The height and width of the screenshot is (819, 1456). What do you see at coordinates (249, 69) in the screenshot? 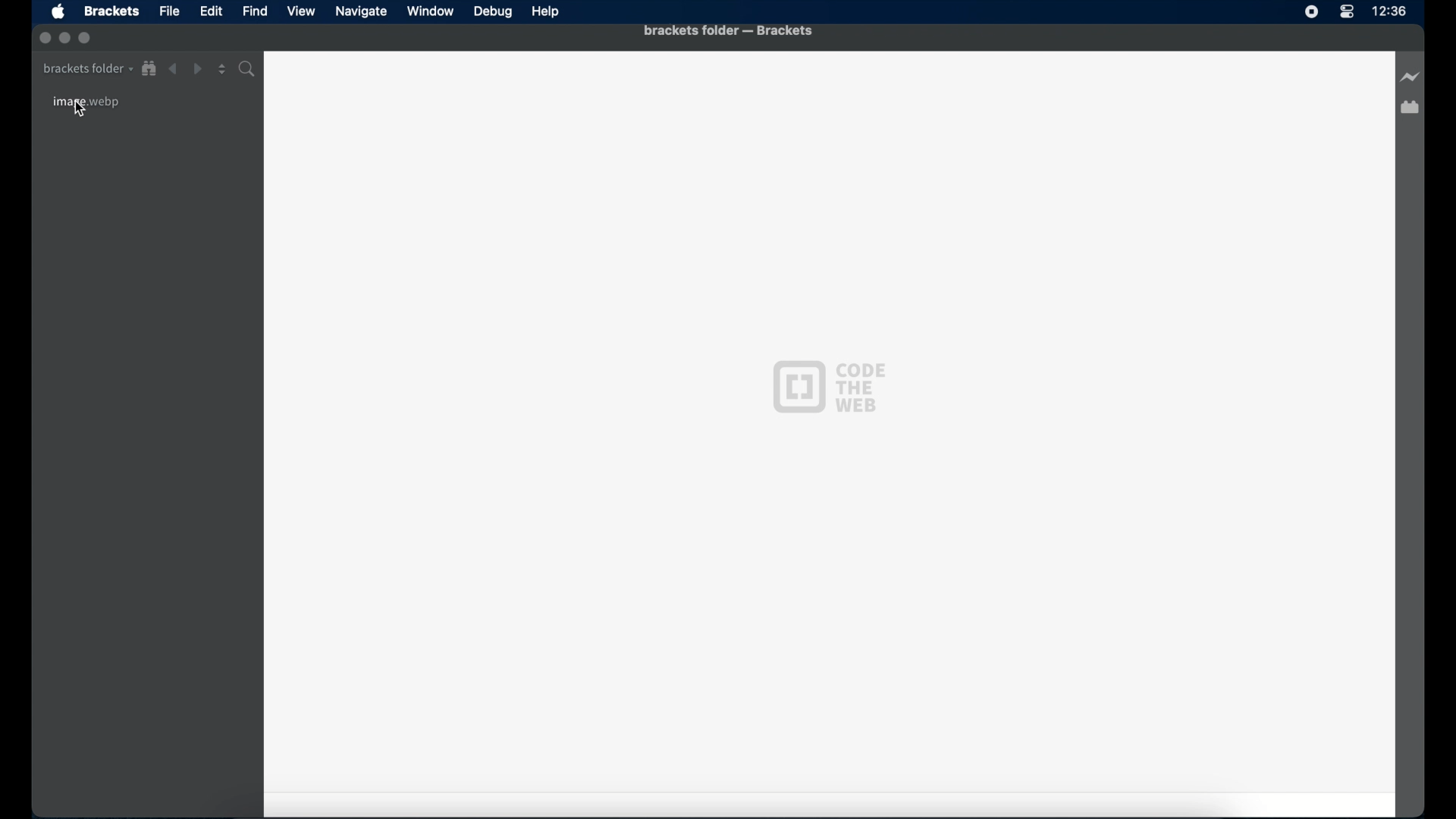
I see `find in folder` at bounding box center [249, 69].